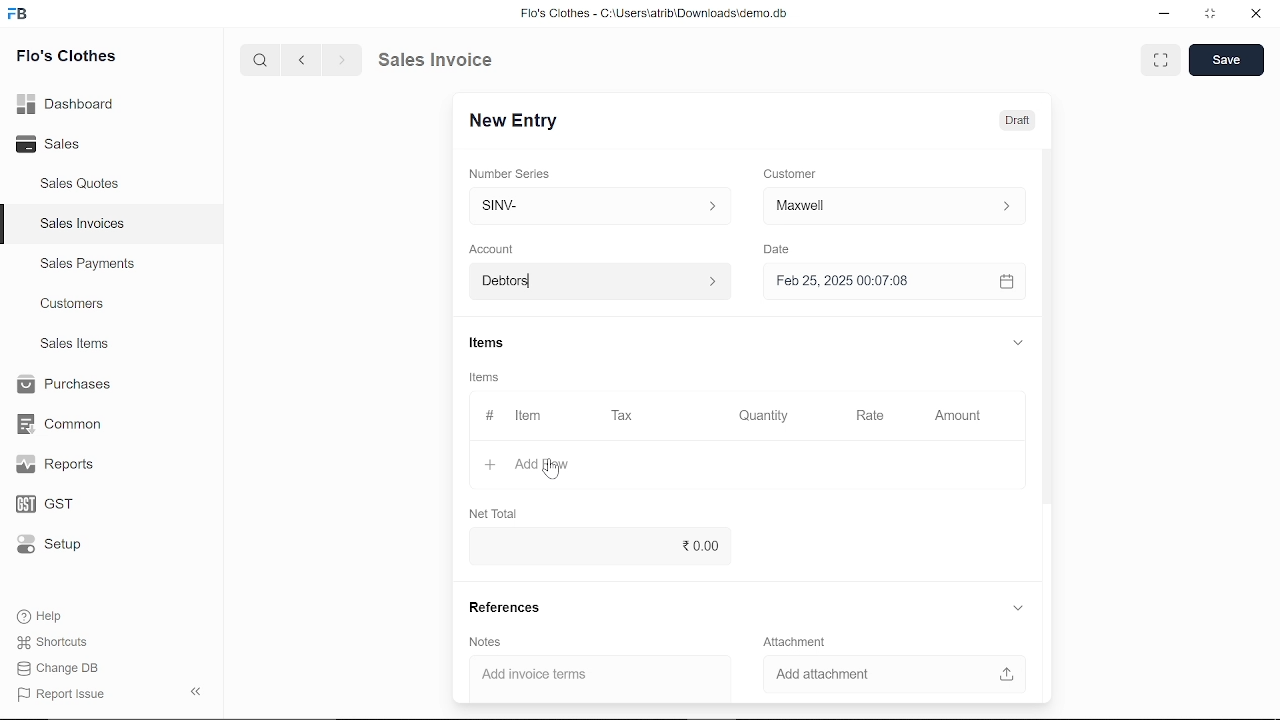 The image size is (1280, 720). I want to click on # Item, so click(513, 417).